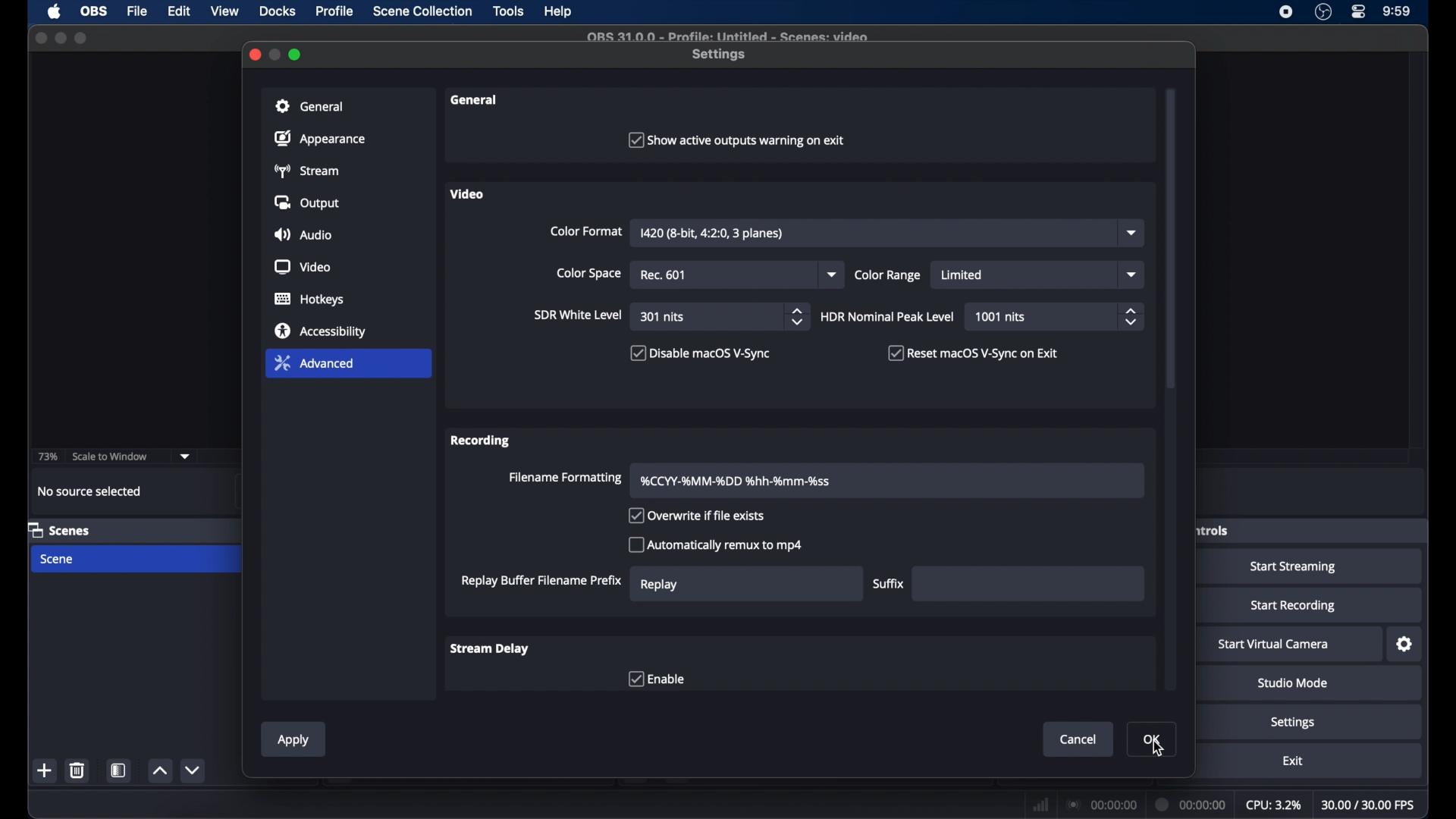 The image size is (1456, 819). Describe the element at coordinates (1171, 212) in the screenshot. I see `scroll box` at that location.